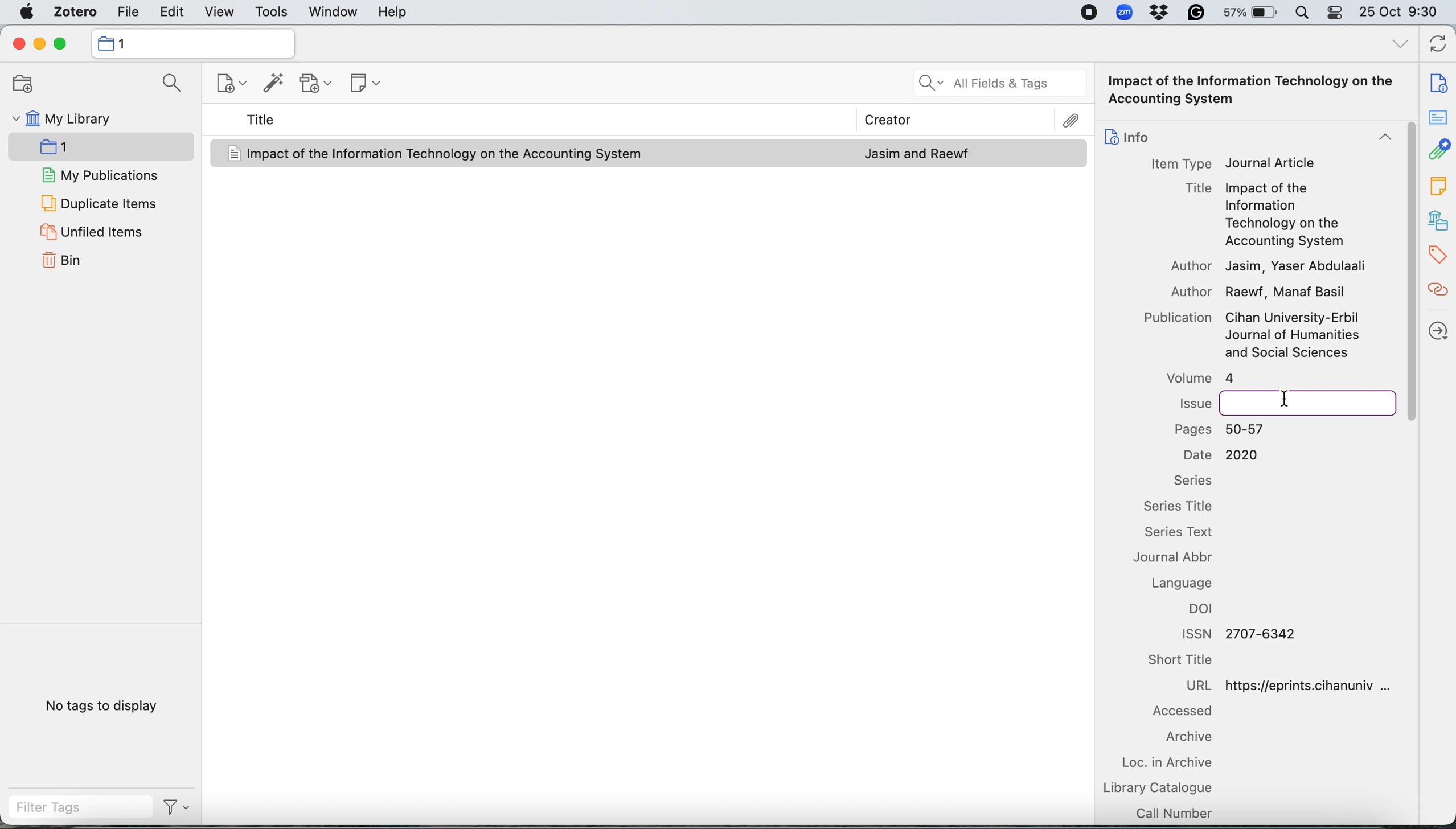 The width and height of the screenshot is (1456, 829). I want to click on issn, so click(1235, 633).